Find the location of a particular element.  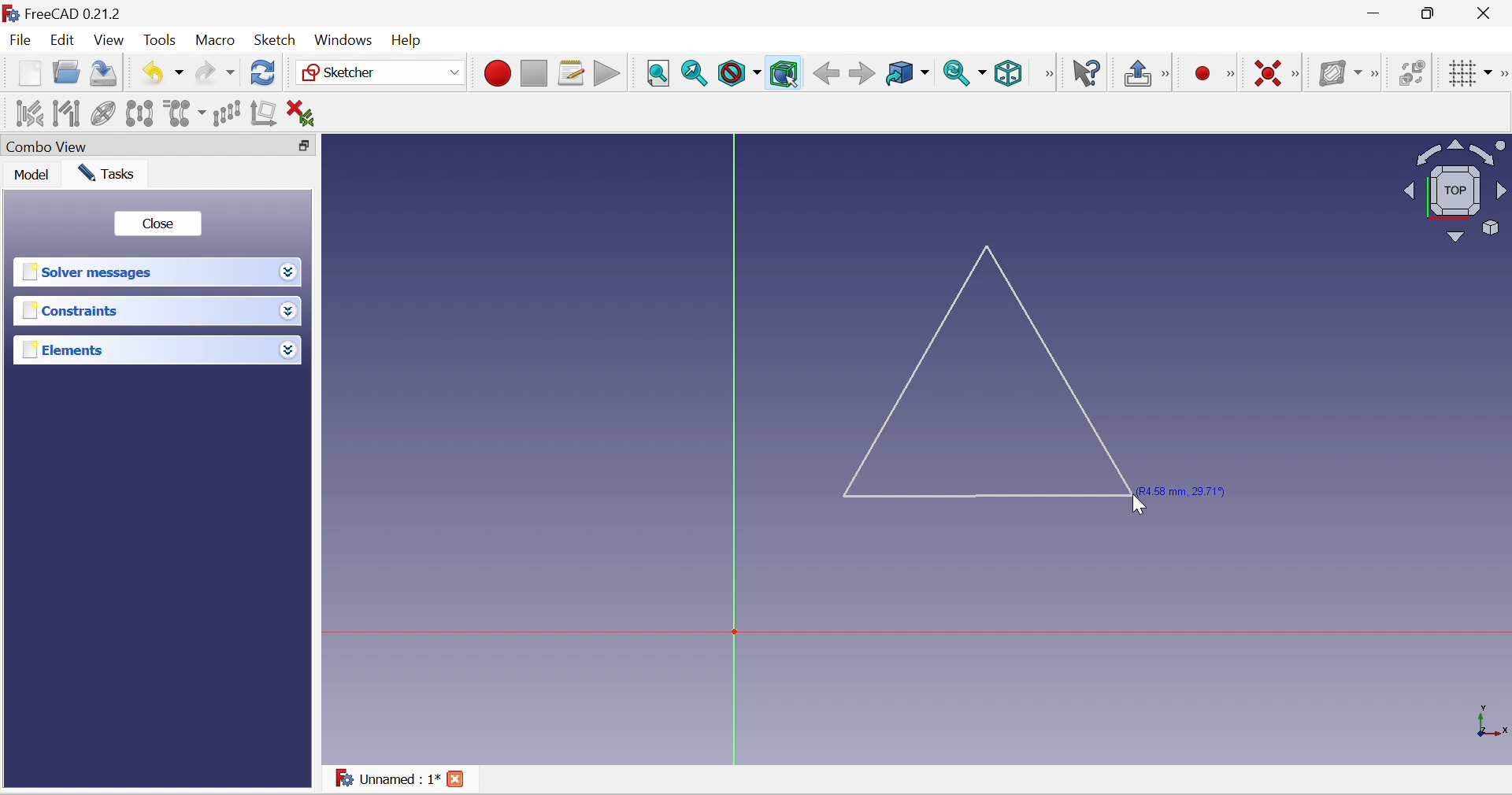

Toggle grid is located at coordinates (1470, 73).